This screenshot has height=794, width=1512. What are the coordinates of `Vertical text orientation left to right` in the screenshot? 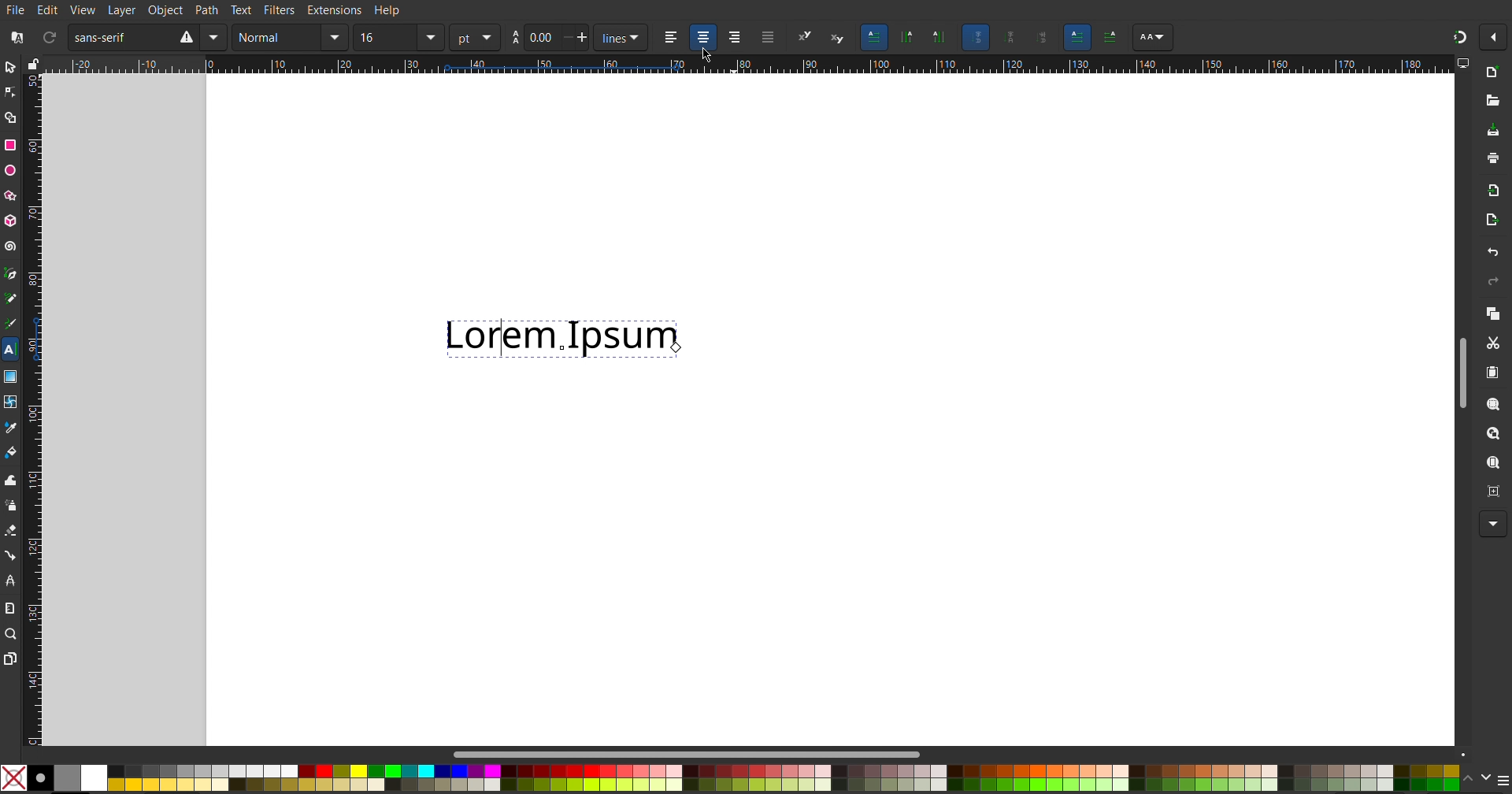 It's located at (937, 38).